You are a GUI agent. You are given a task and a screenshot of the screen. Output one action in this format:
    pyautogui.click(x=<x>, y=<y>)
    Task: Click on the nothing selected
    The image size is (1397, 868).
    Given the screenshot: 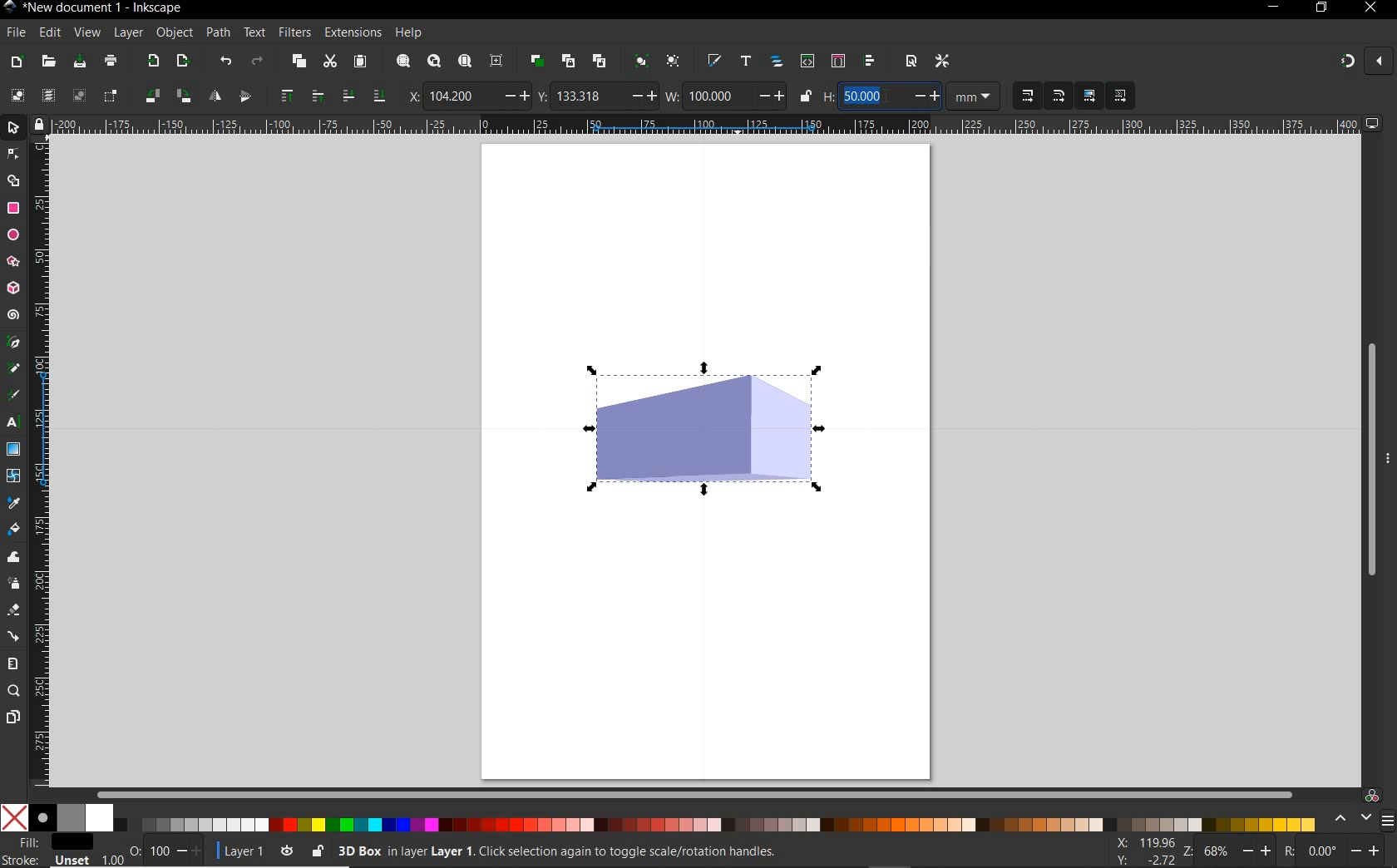 What is the action you would take?
    pyautogui.click(x=134, y=845)
    